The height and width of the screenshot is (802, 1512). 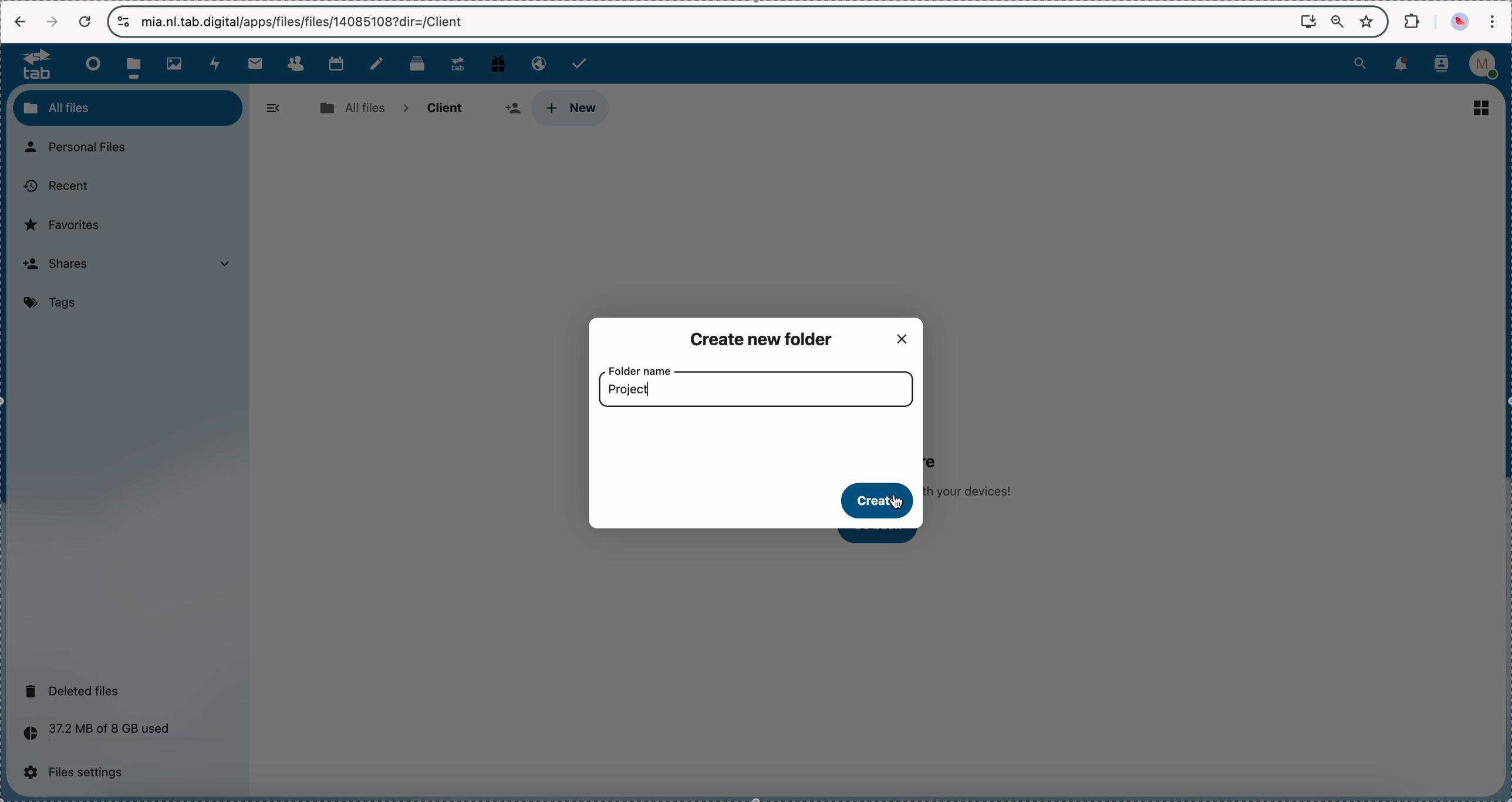 I want to click on click on new button, so click(x=569, y=108).